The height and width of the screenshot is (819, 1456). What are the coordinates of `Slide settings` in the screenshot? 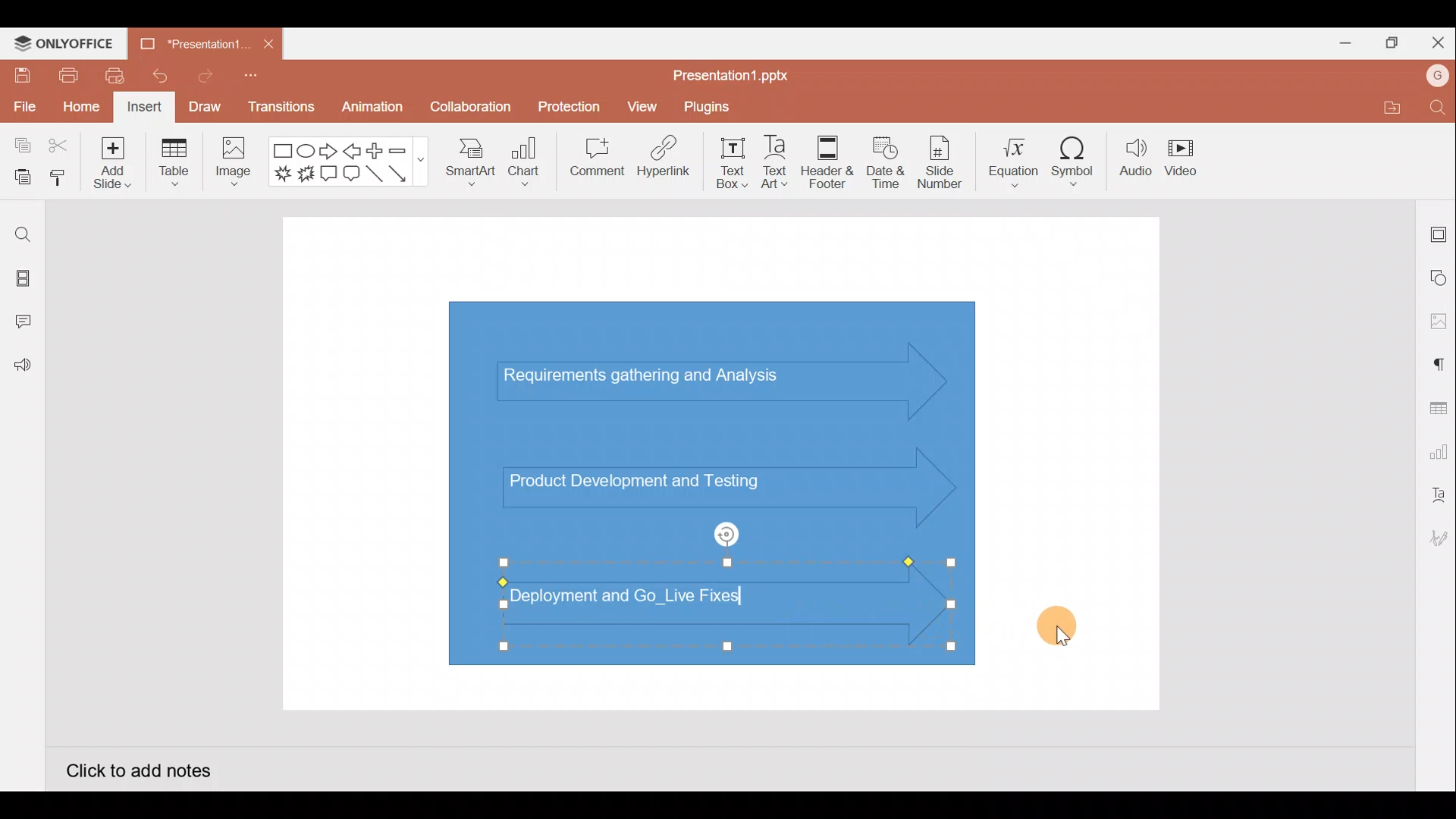 It's located at (1439, 231).